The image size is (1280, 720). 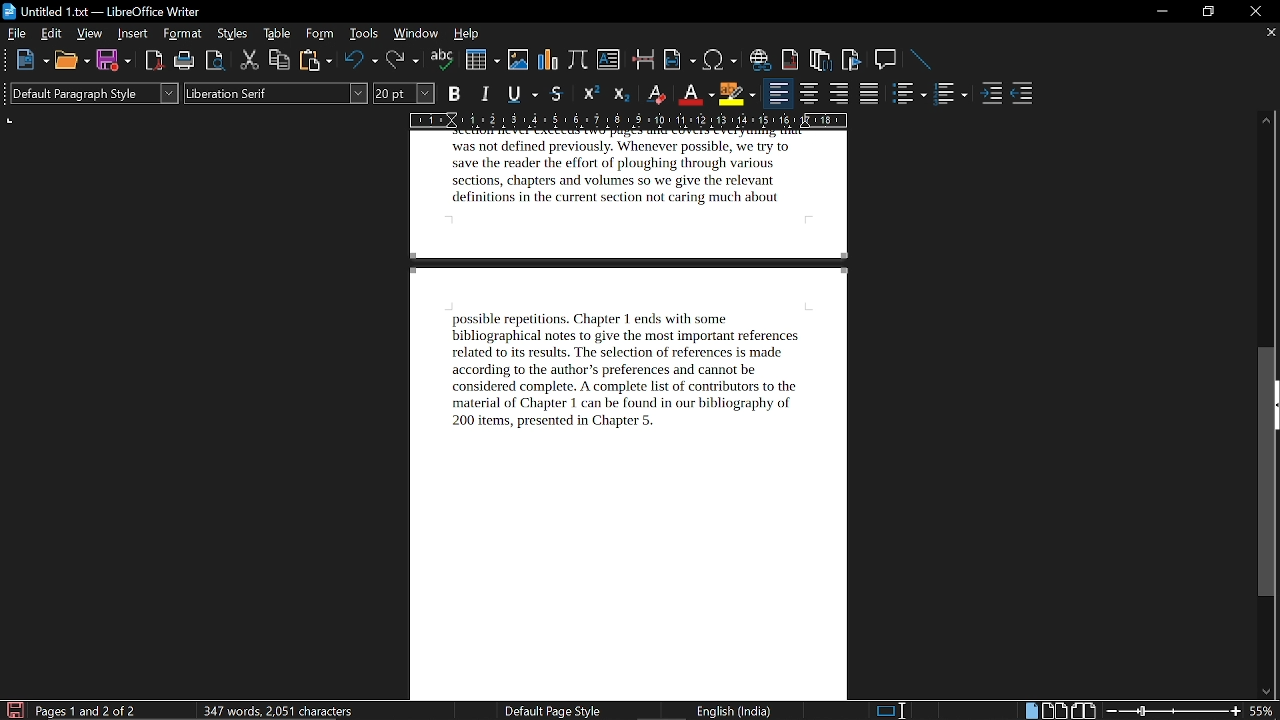 What do you see at coordinates (1265, 712) in the screenshot?
I see `current zoom` at bounding box center [1265, 712].